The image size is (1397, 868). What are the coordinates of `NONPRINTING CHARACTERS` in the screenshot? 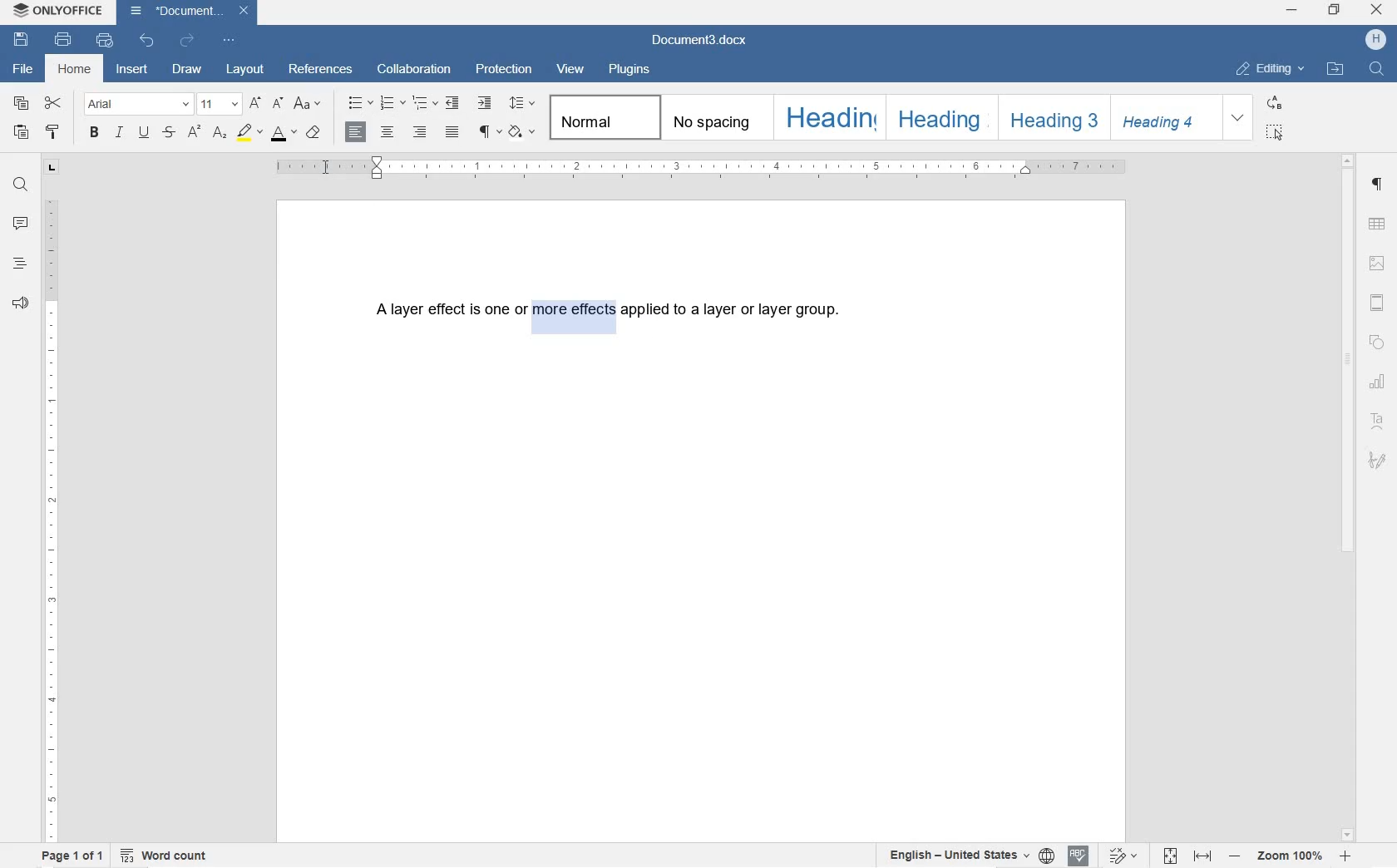 It's located at (488, 132).